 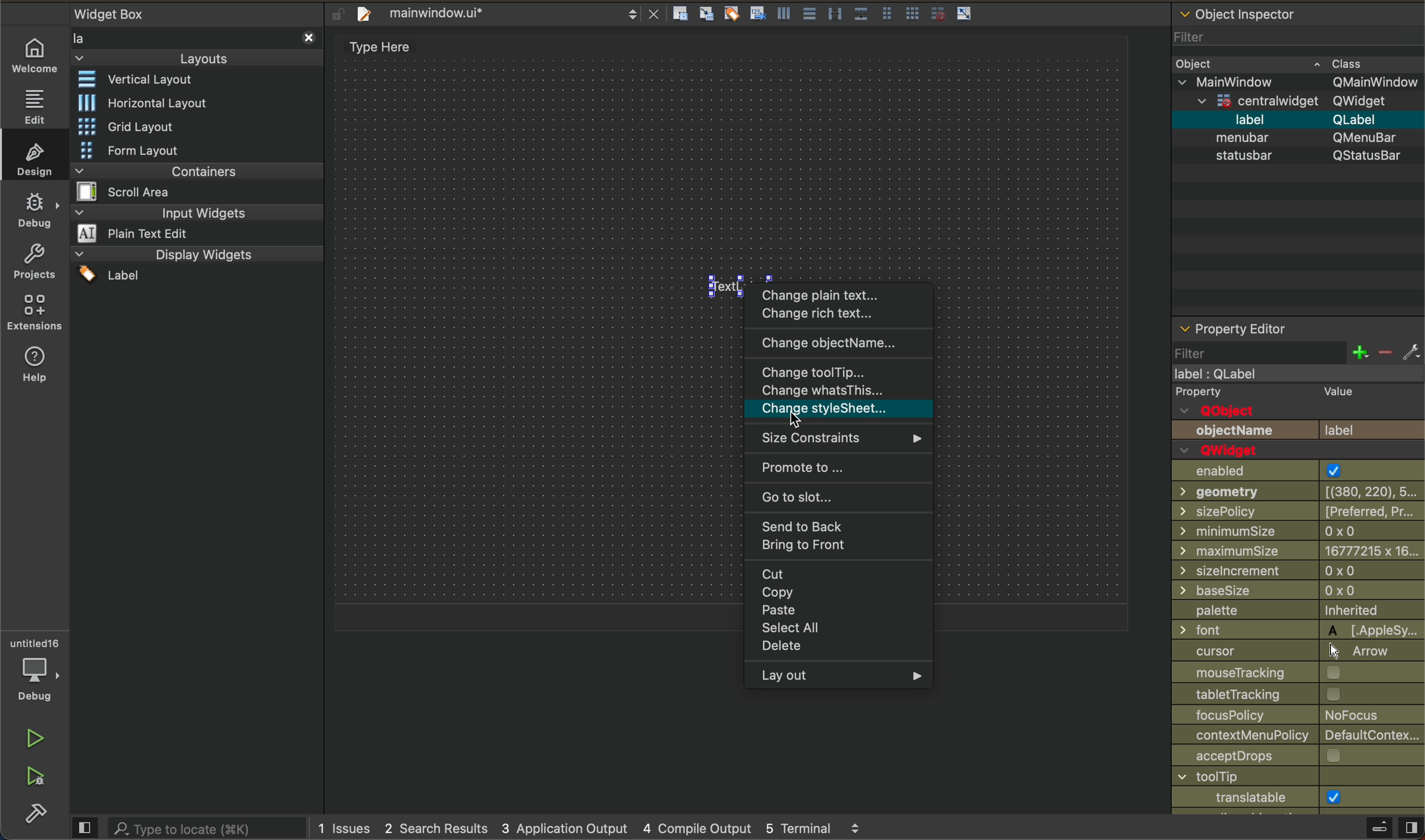 What do you see at coordinates (804, 417) in the screenshot?
I see `cursor` at bounding box center [804, 417].